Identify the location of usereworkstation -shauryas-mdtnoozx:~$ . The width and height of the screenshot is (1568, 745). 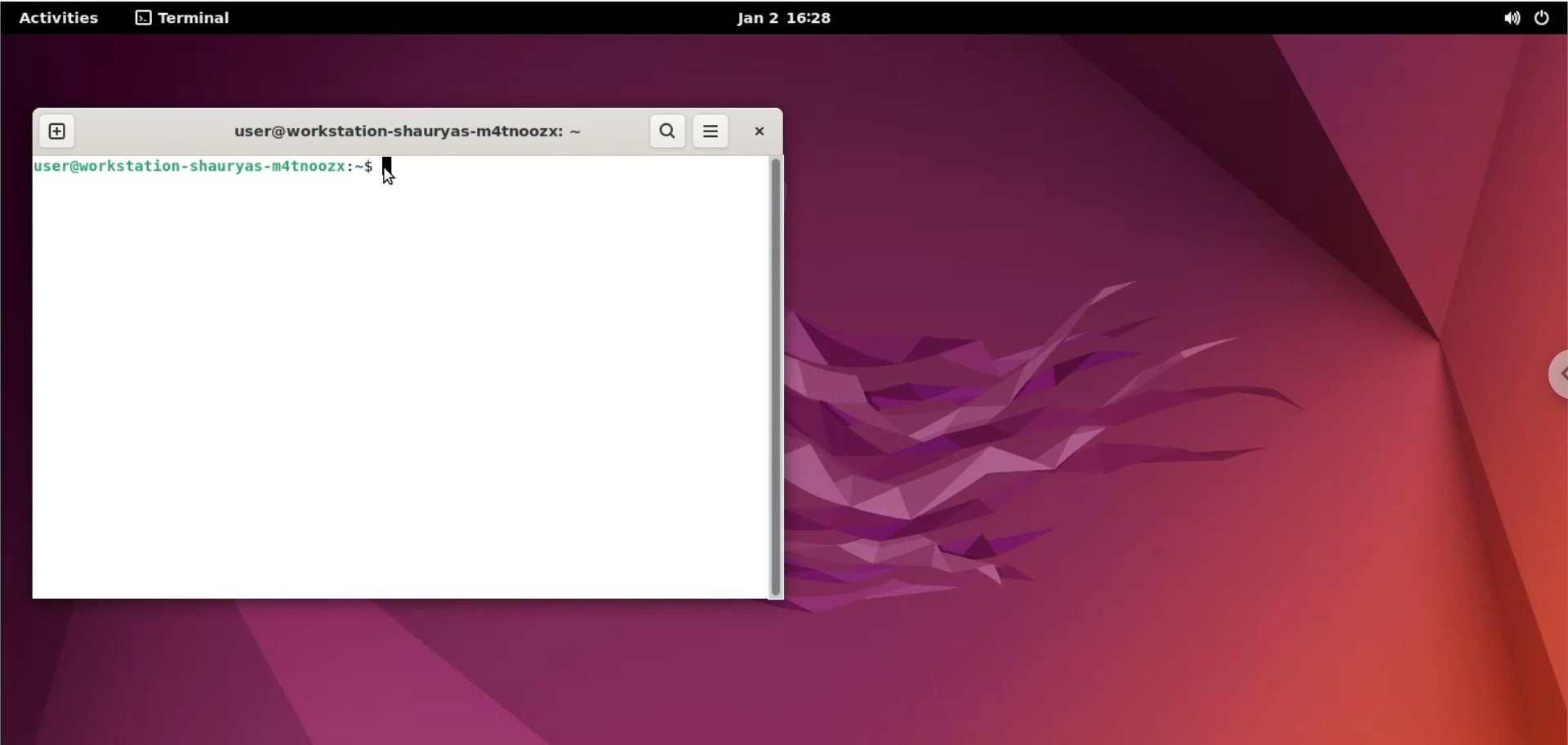
(201, 170).